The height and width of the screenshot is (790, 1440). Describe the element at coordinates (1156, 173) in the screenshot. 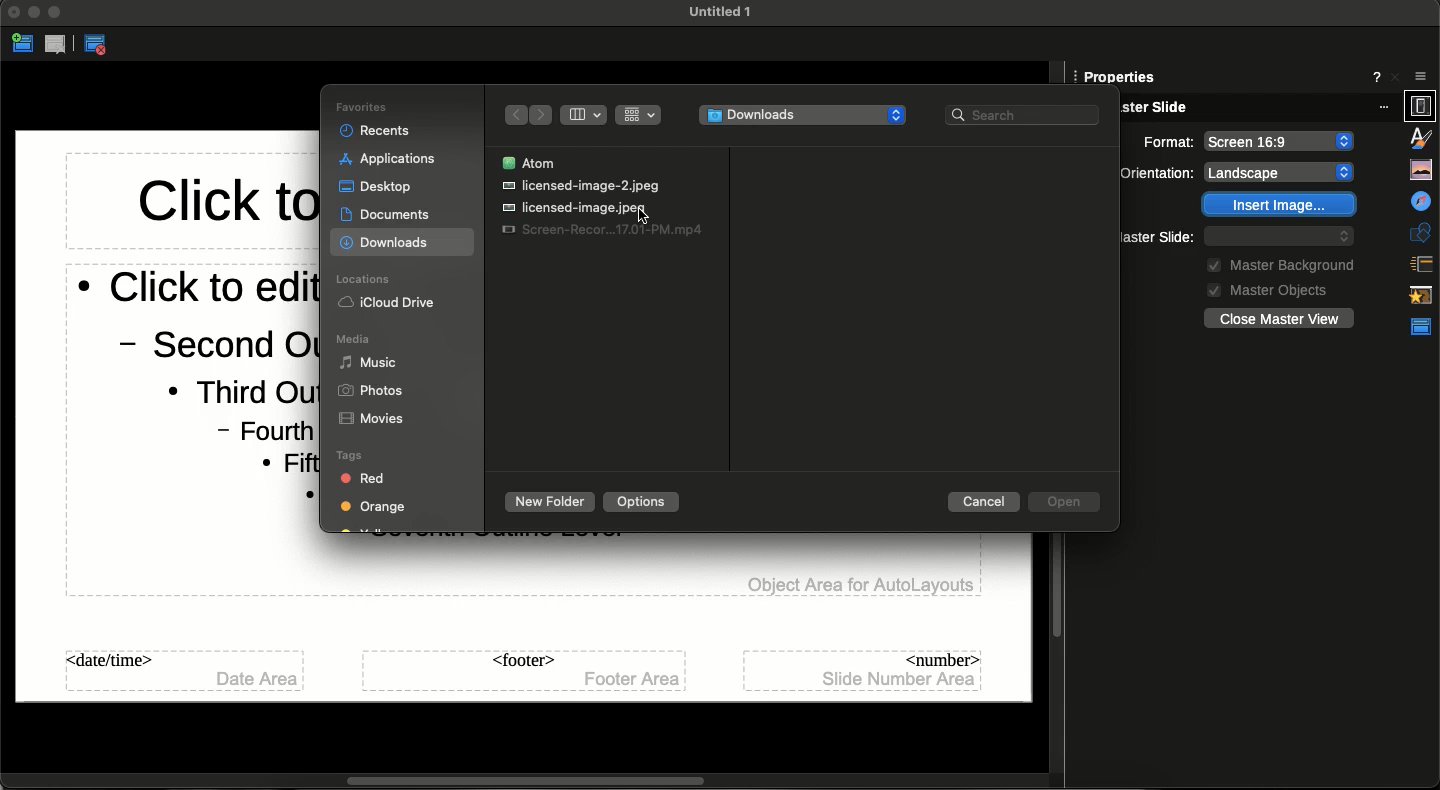

I see `Background` at that location.